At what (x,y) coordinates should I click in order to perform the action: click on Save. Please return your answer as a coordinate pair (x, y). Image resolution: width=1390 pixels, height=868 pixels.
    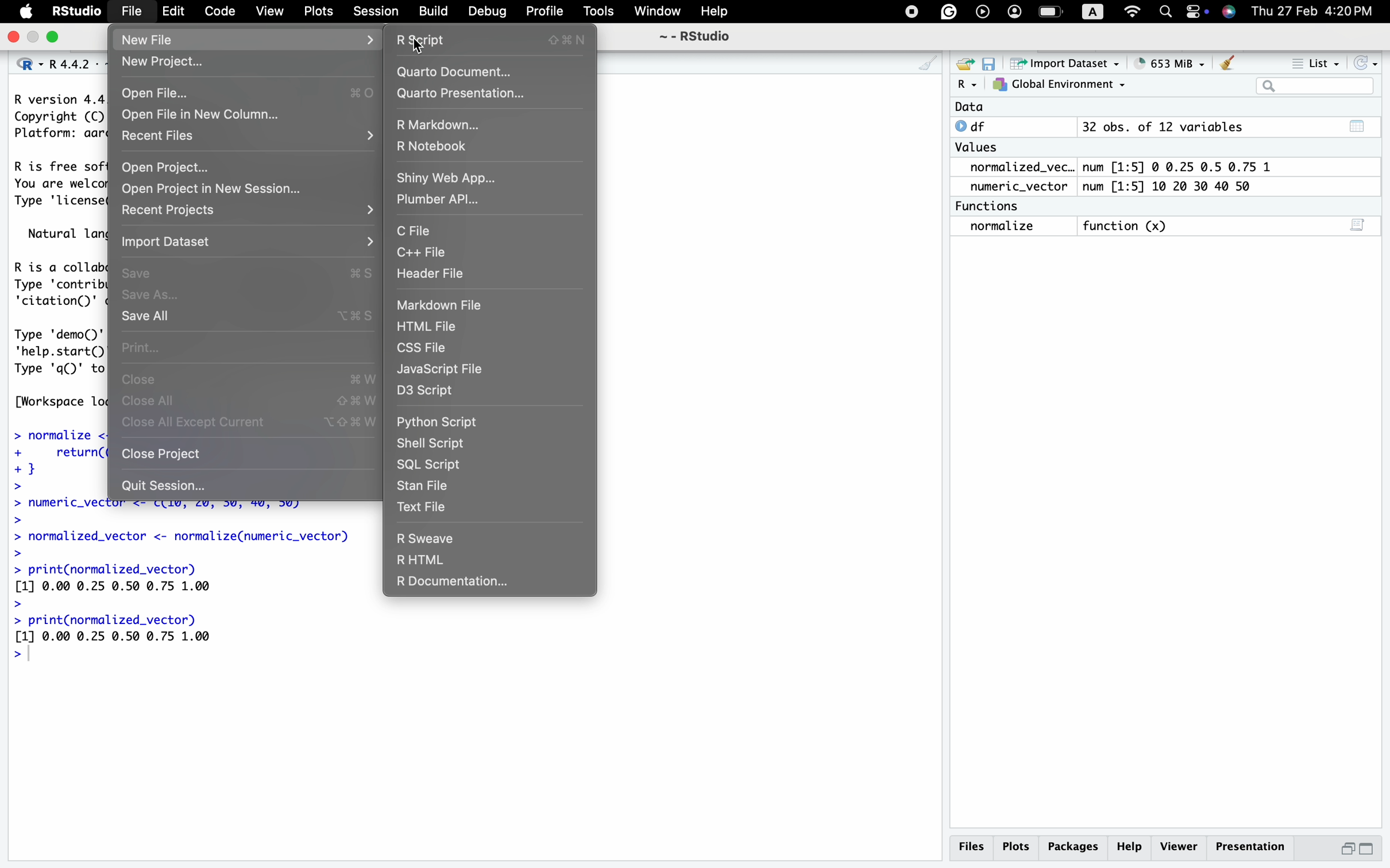
    Looking at the image, I should click on (142, 274).